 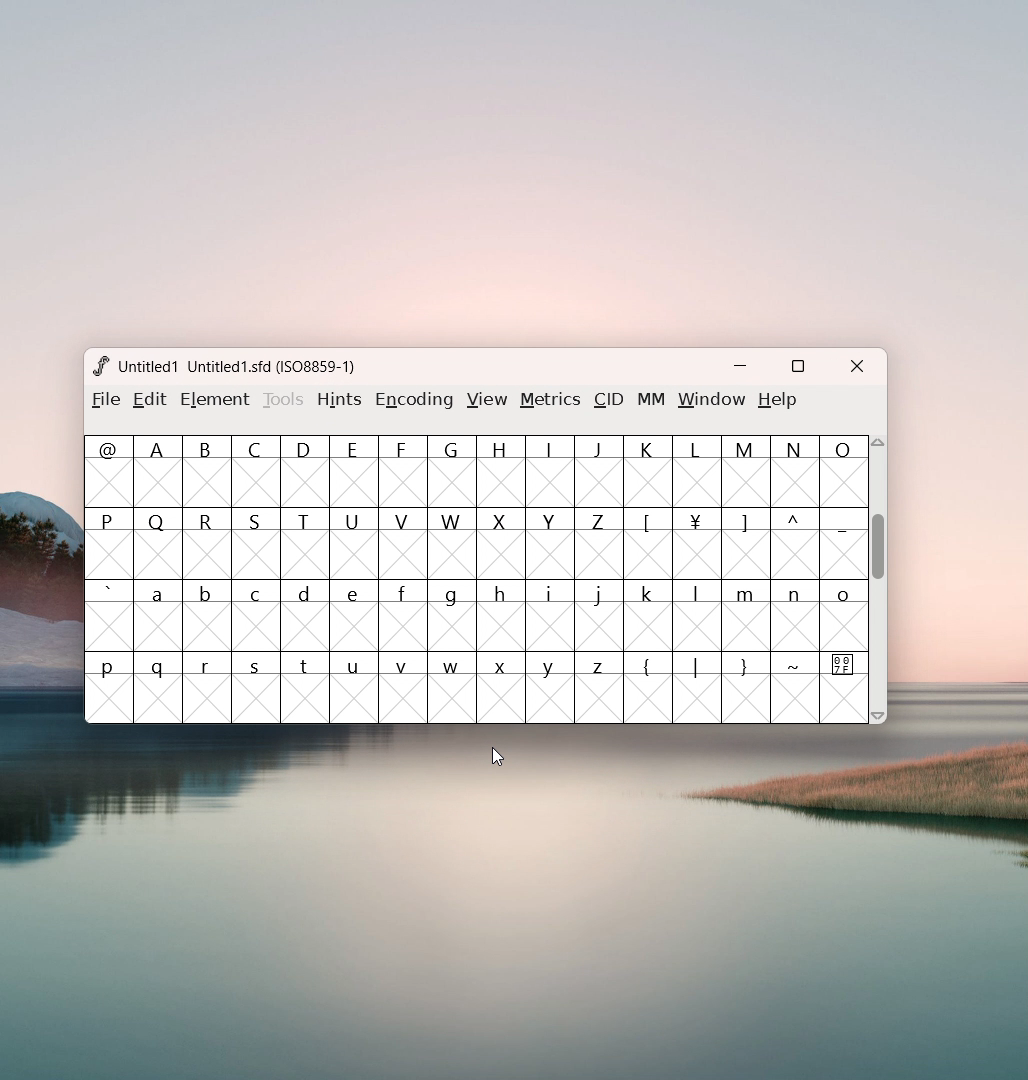 I want to click on O, so click(x=846, y=471).